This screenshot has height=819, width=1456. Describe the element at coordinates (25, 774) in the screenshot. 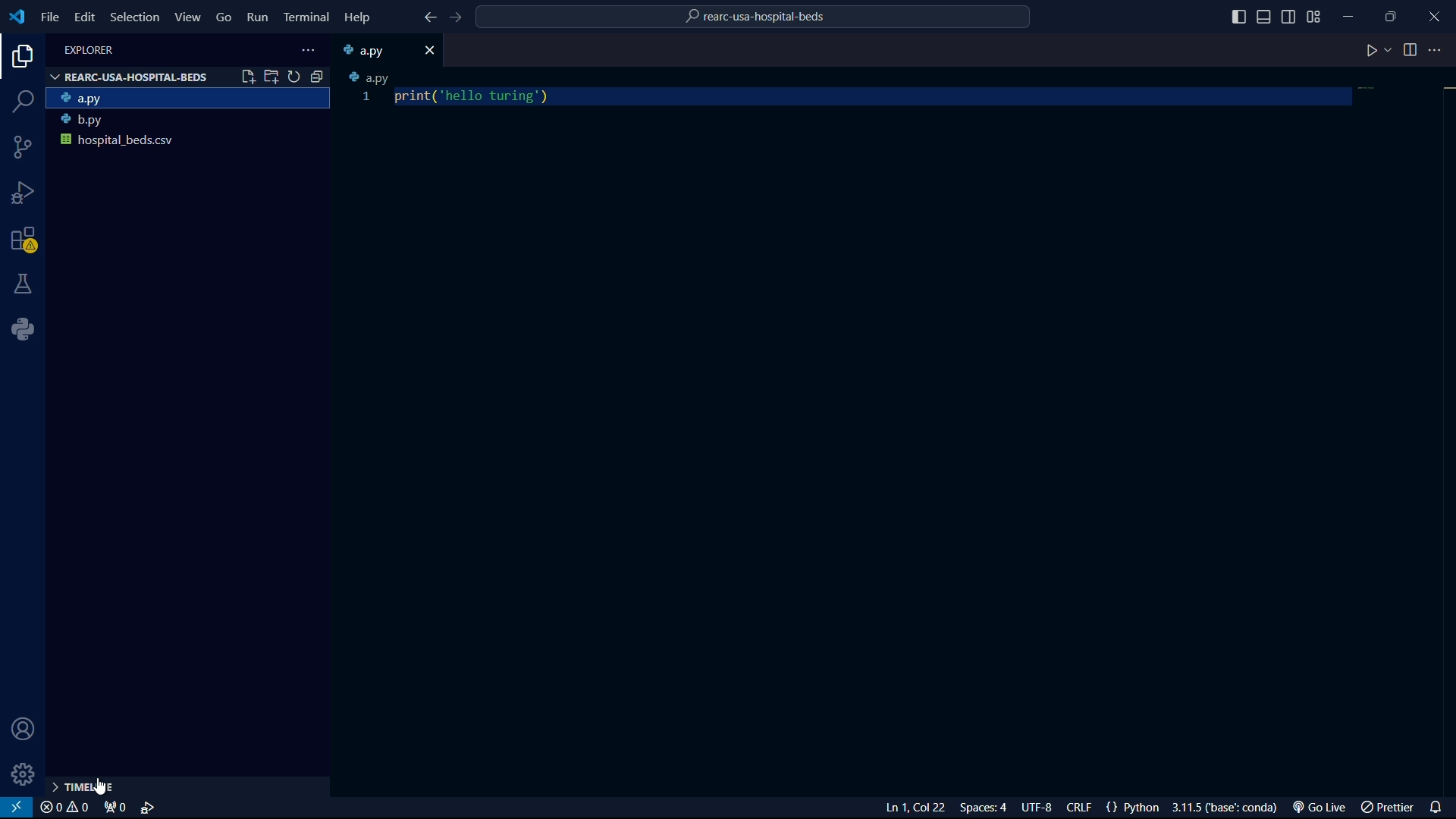

I see `manage` at that location.